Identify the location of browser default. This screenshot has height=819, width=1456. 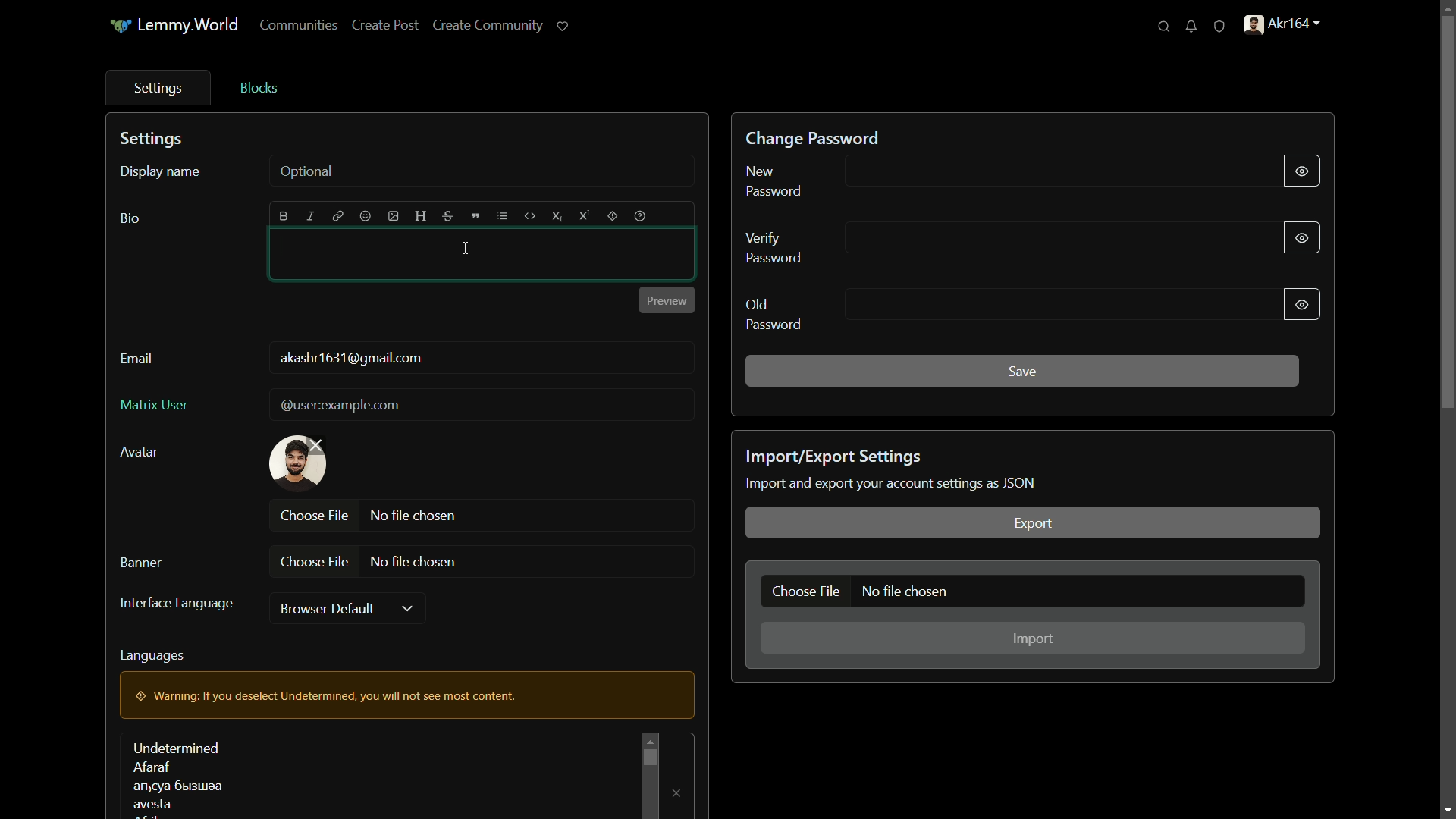
(325, 608).